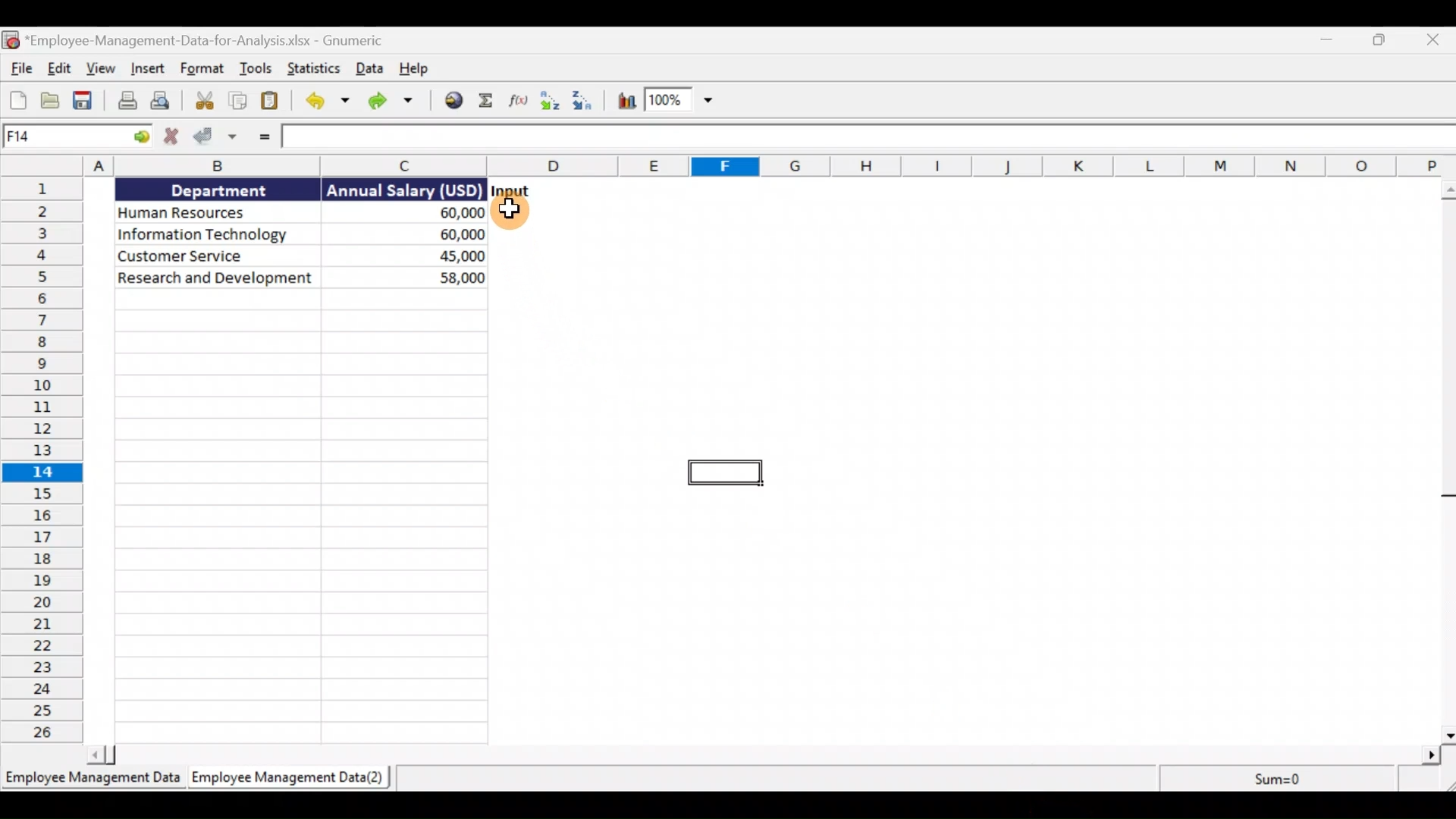  Describe the element at coordinates (21, 65) in the screenshot. I see `File` at that location.